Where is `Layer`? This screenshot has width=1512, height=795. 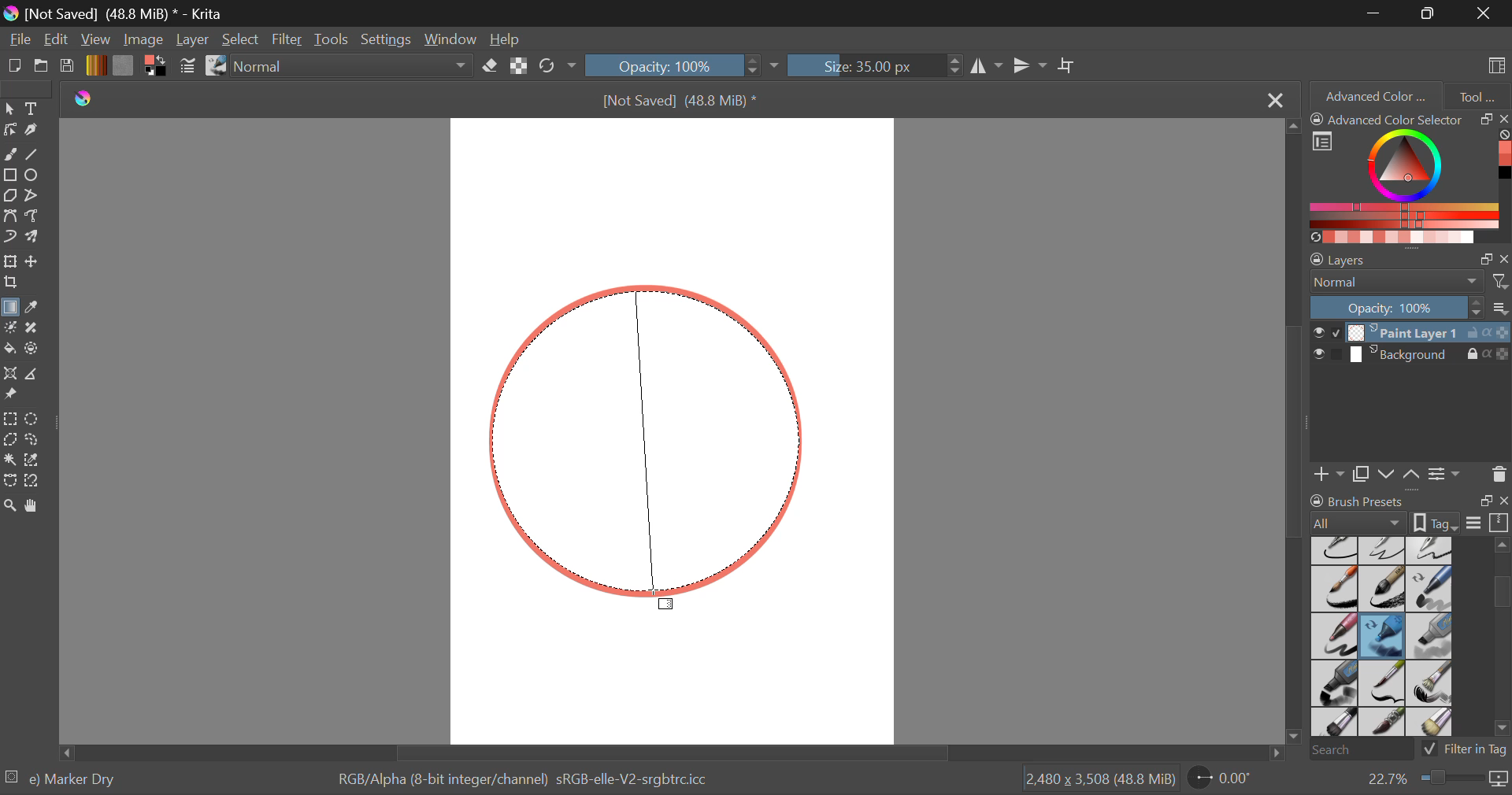
Layer is located at coordinates (192, 39).